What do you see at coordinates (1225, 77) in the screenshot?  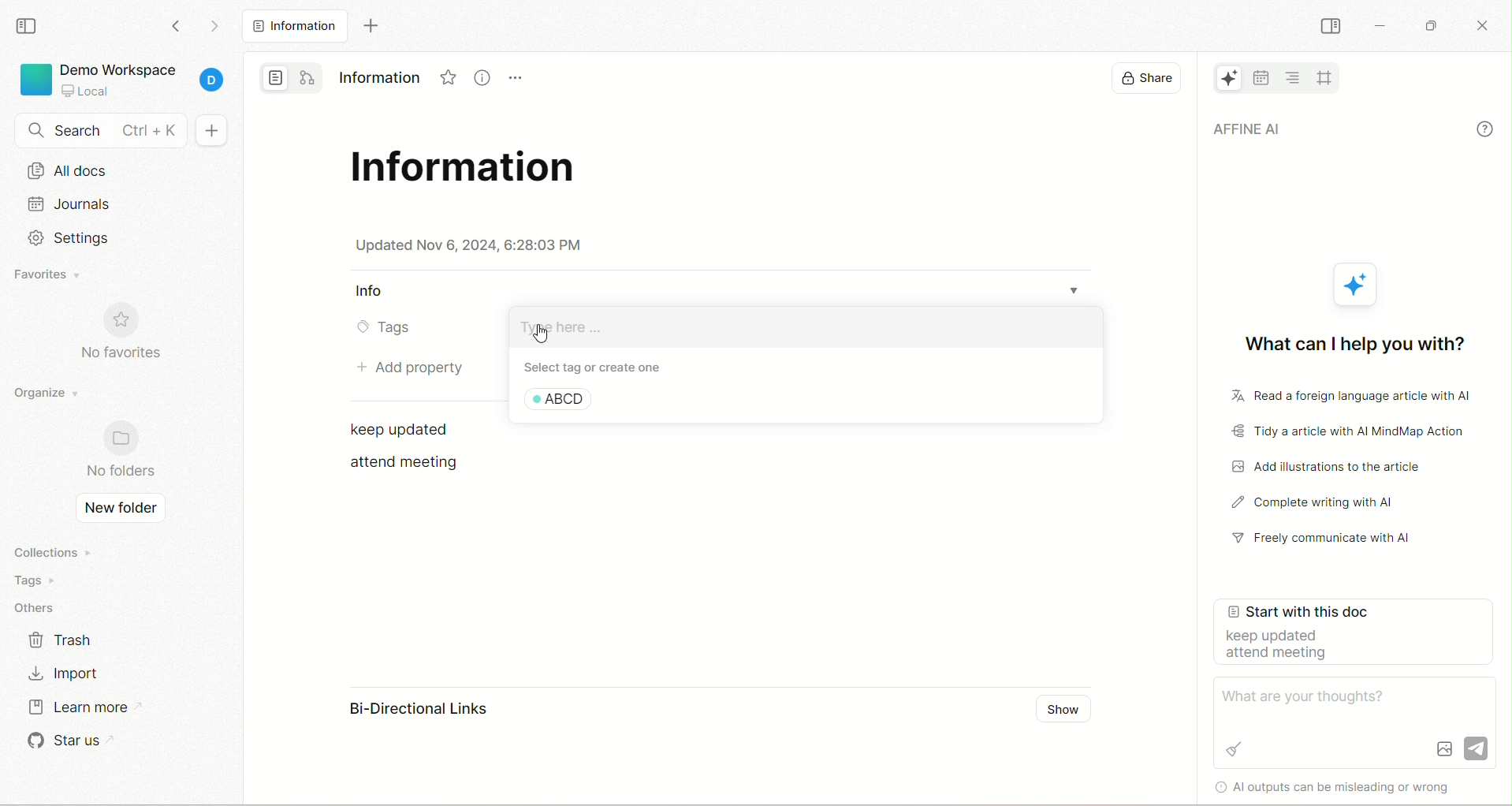 I see `AFFiNE AI` at bounding box center [1225, 77].